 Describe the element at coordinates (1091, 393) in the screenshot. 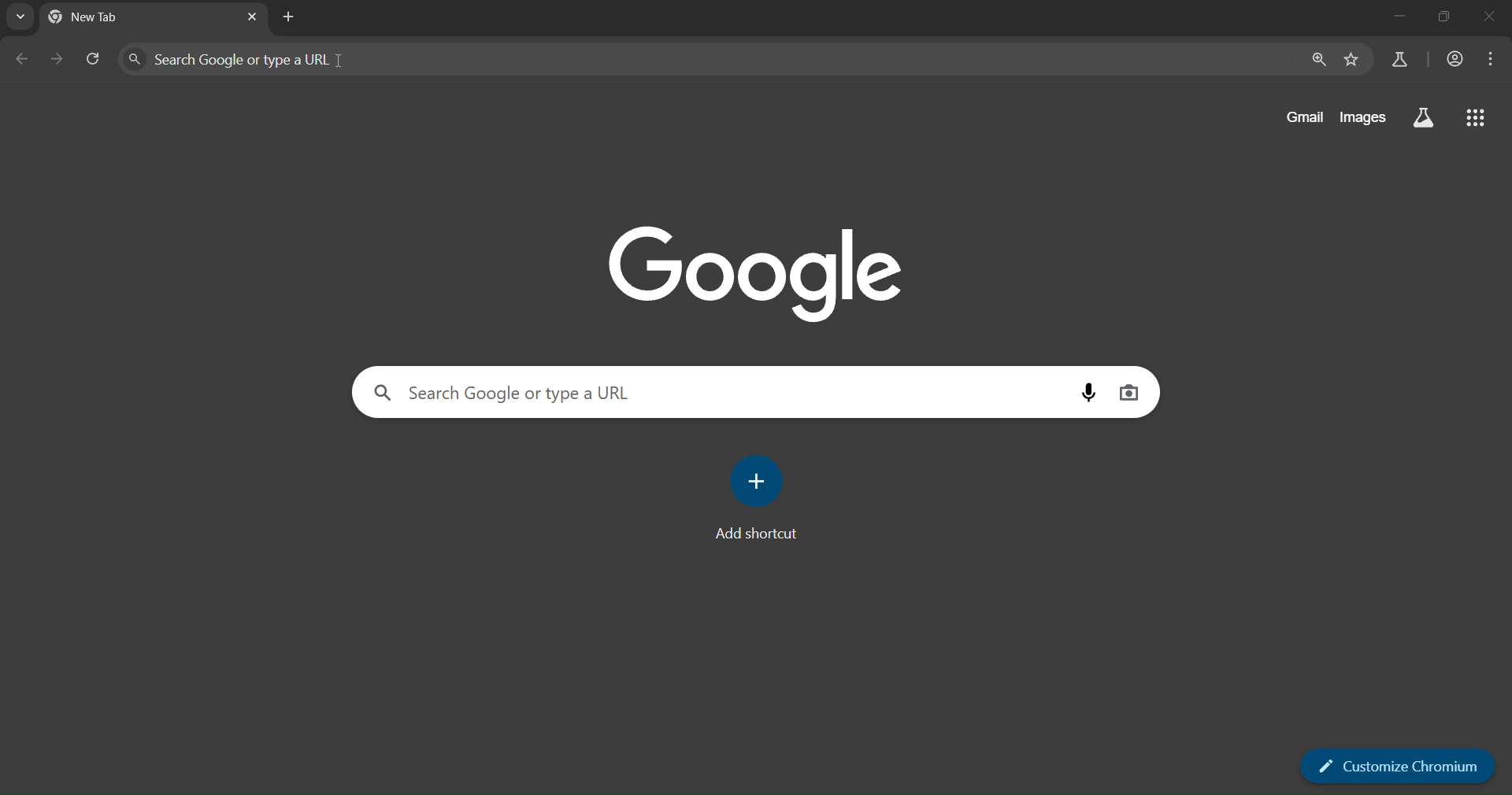

I see `voice search` at that location.